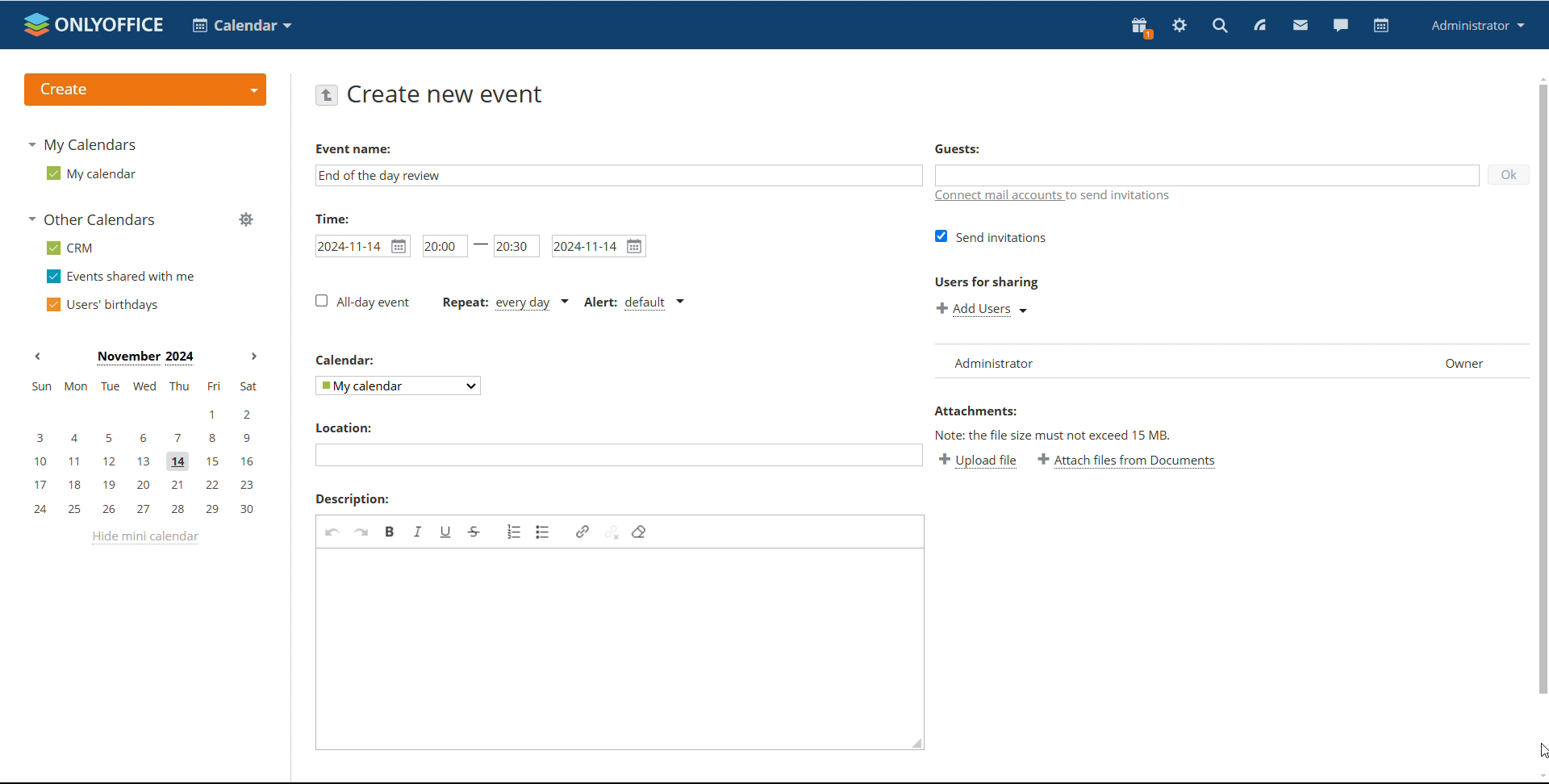  Describe the element at coordinates (332, 218) in the screenshot. I see `time` at that location.